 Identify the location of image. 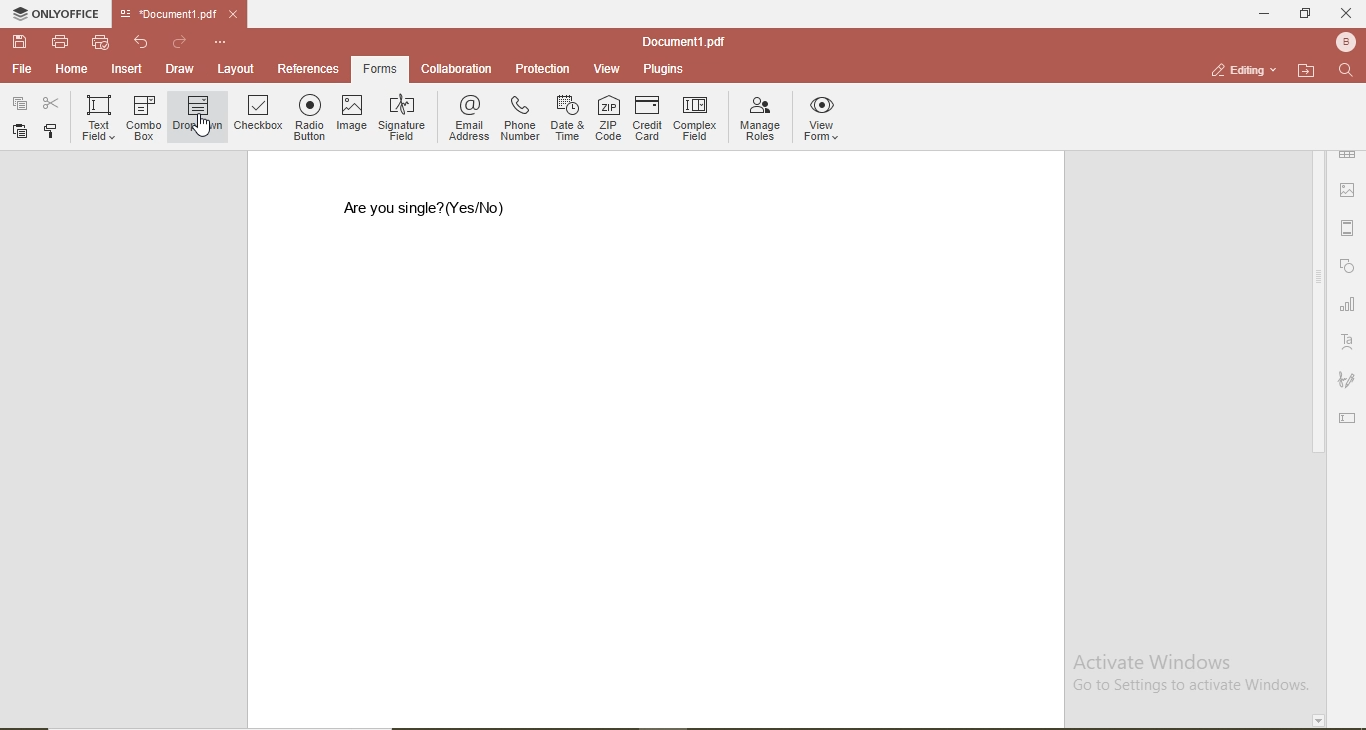
(354, 113).